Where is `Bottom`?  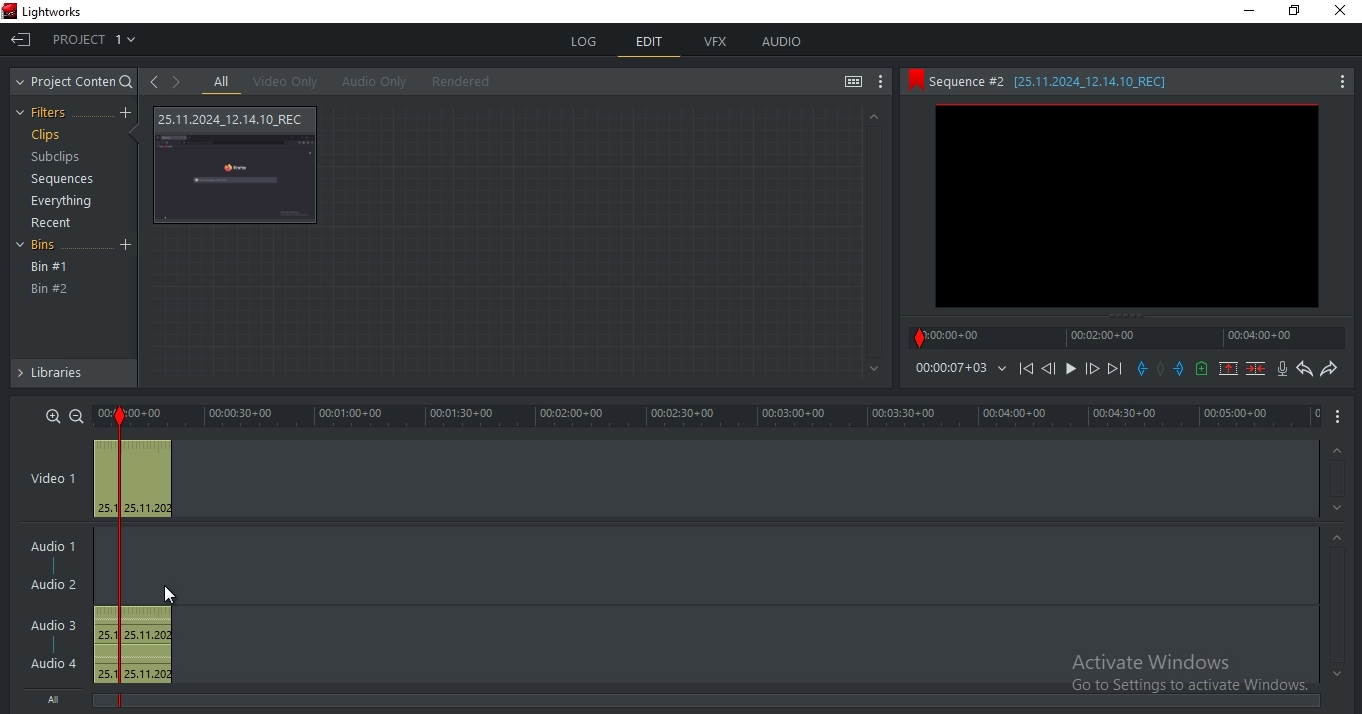 Bottom is located at coordinates (871, 369).